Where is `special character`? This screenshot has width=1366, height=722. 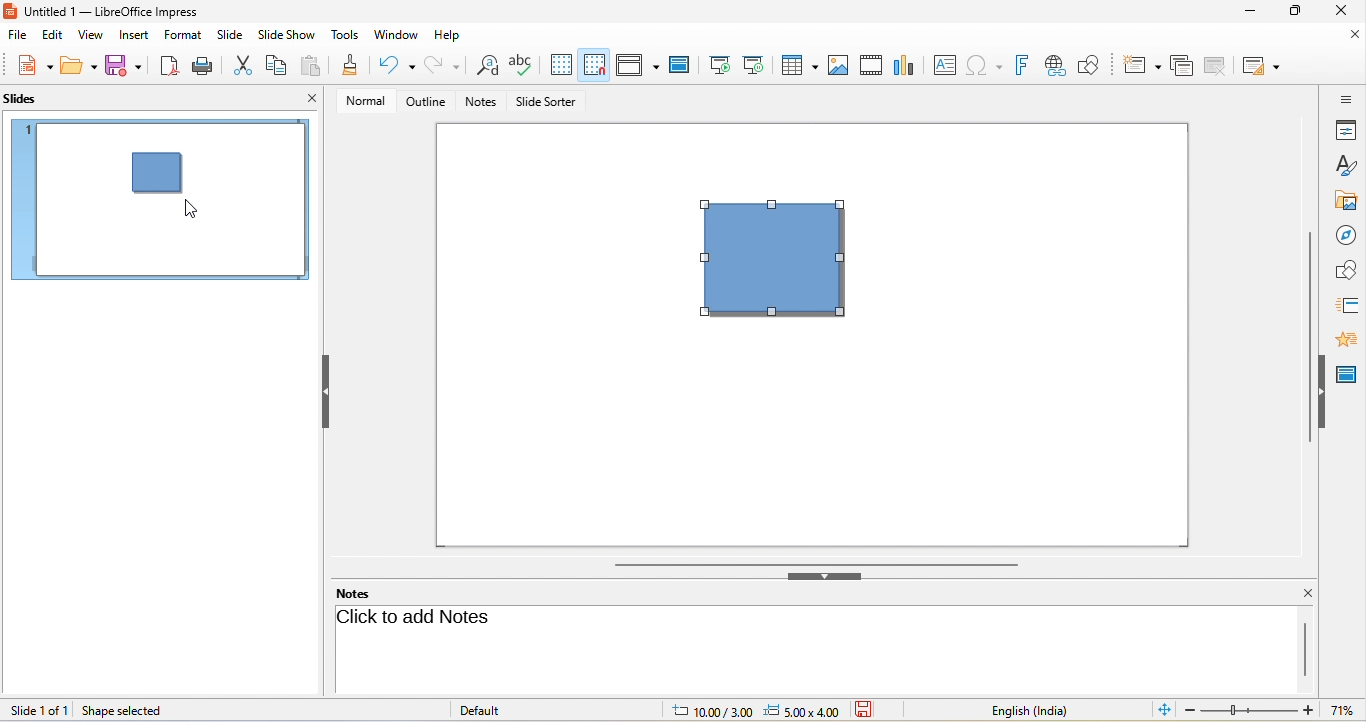
special character is located at coordinates (987, 66).